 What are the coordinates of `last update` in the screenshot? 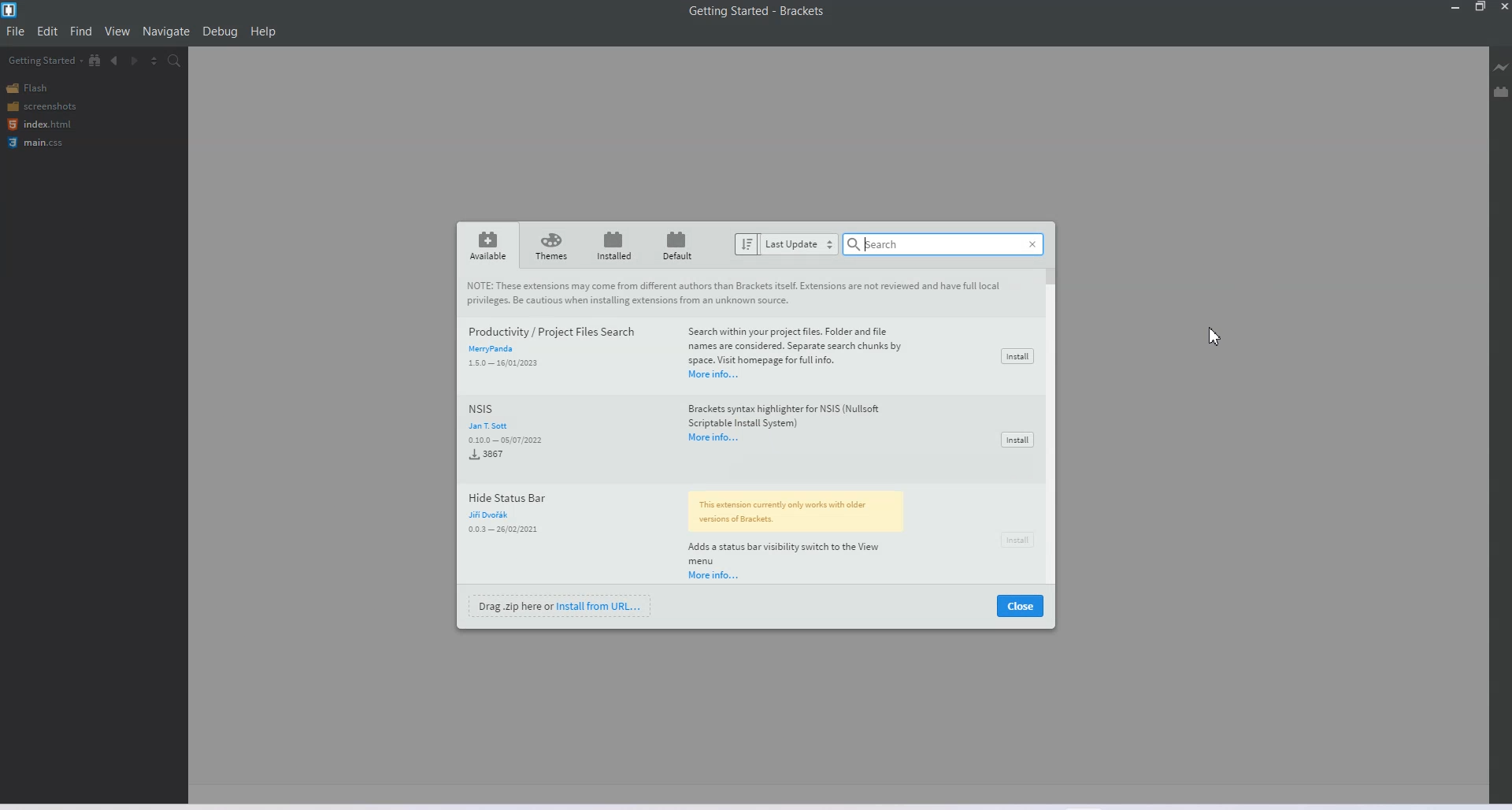 It's located at (800, 244).